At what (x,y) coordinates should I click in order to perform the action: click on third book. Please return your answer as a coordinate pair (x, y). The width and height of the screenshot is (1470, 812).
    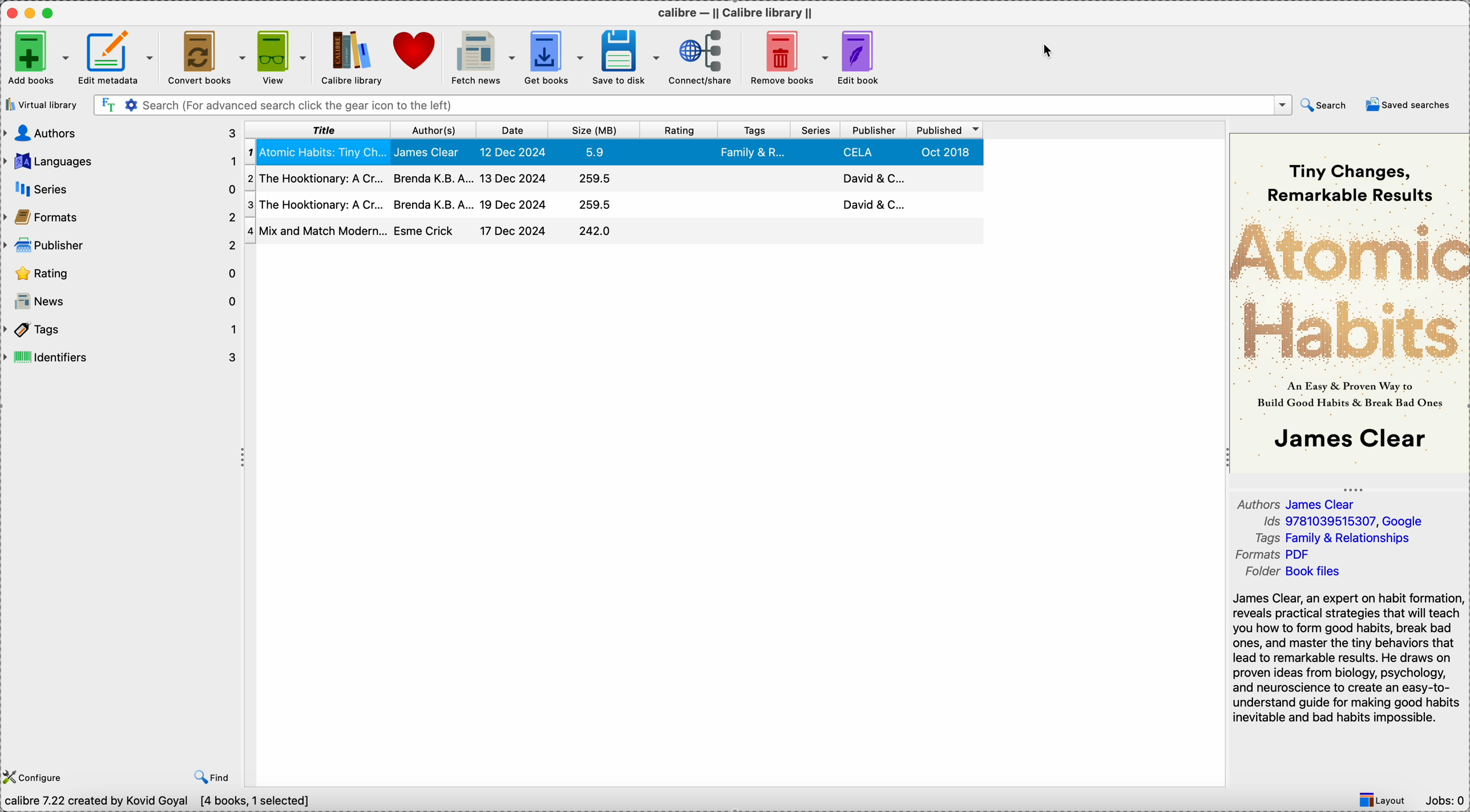
    Looking at the image, I should click on (613, 205).